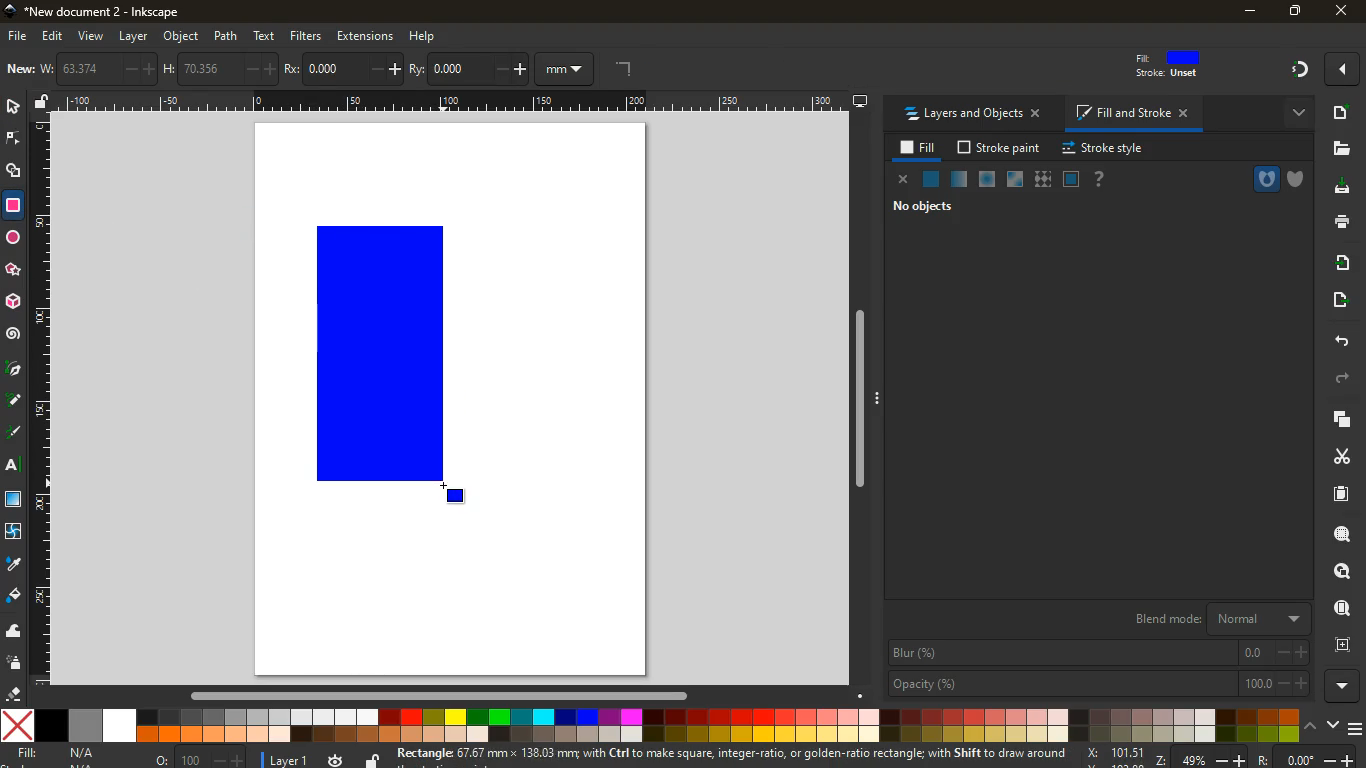 The height and width of the screenshot is (768, 1366). Describe the element at coordinates (1002, 147) in the screenshot. I see `stroke paint` at that location.